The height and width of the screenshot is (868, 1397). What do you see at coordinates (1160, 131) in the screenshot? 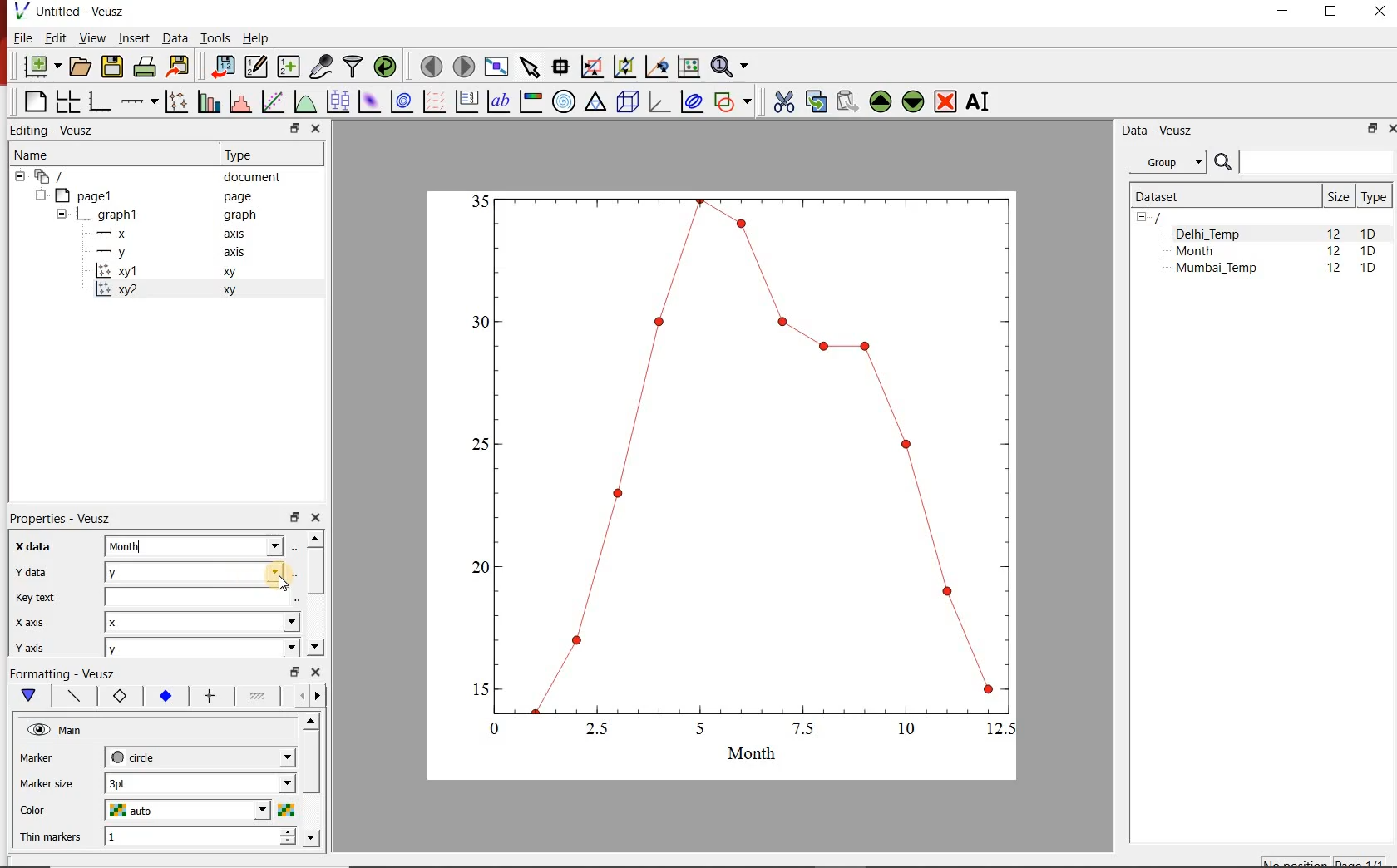
I see `Data - Veusz` at bounding box center [1160, 131].